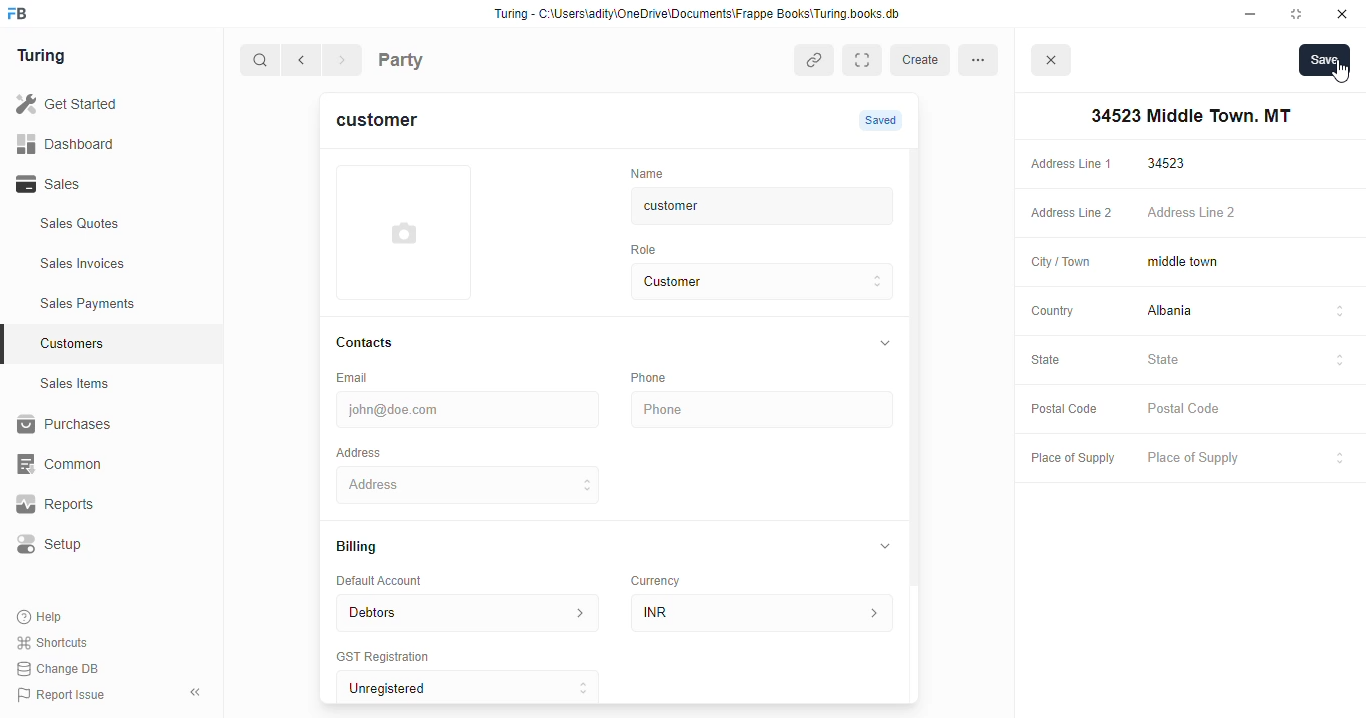  What do you see at coordinates (1056, 361) in the screenshot?
I see `State` at bounding box center [1056, 361].